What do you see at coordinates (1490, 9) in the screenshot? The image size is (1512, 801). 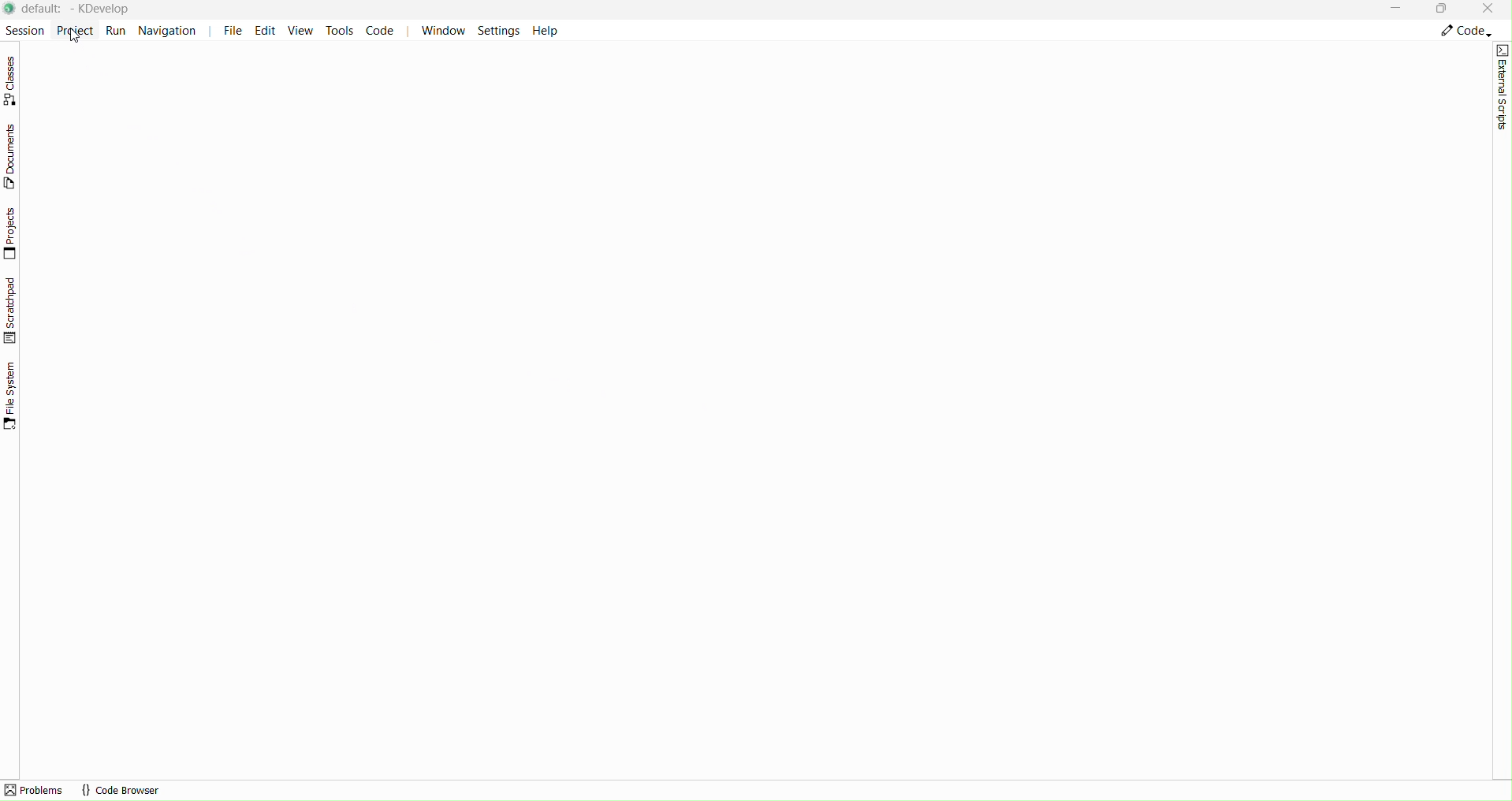 I see `Close` at bounding box center [1490, 9].